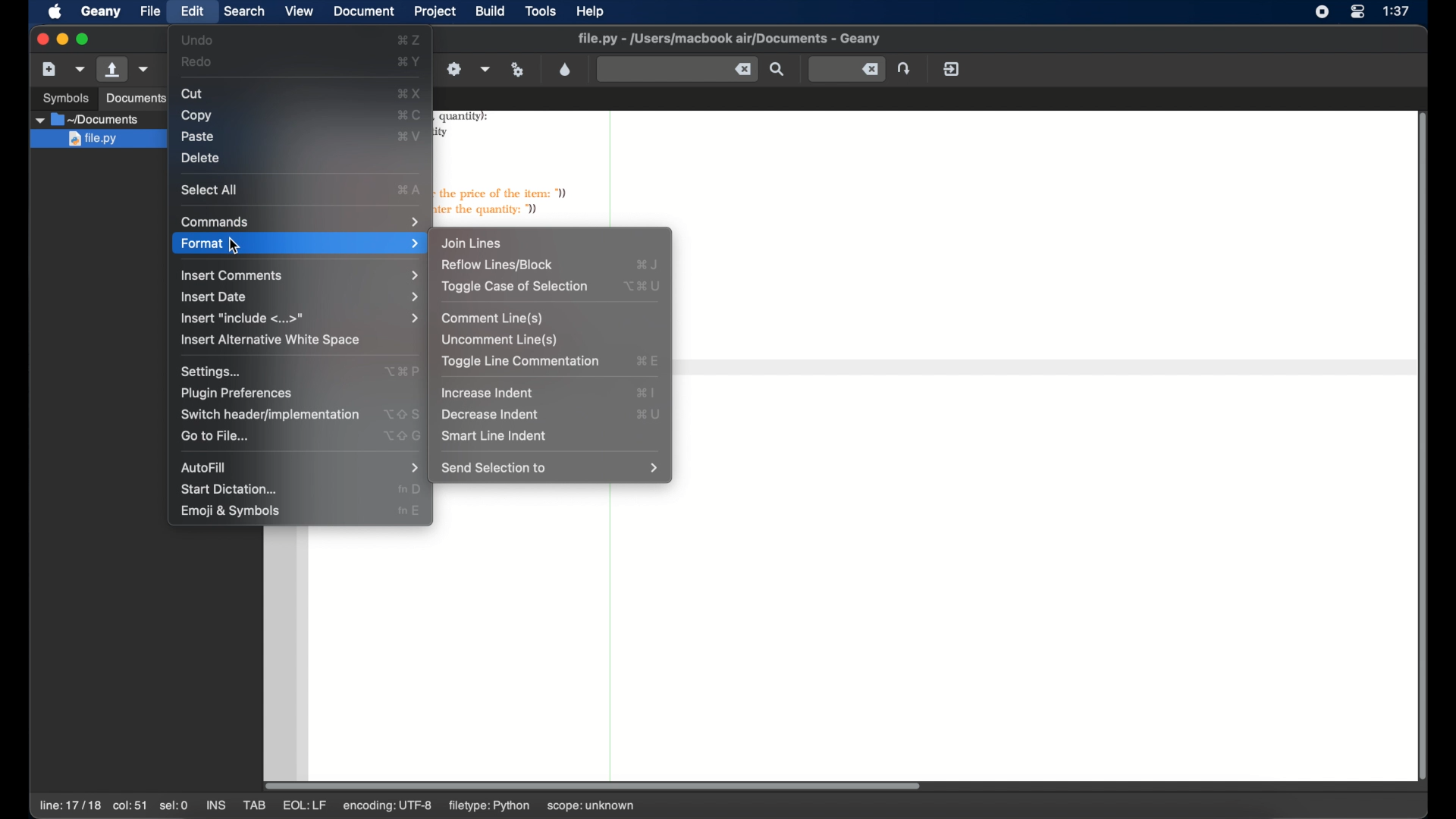 This screenshot has width=1456, height=819. I want to click on delete, so click(201, 158).